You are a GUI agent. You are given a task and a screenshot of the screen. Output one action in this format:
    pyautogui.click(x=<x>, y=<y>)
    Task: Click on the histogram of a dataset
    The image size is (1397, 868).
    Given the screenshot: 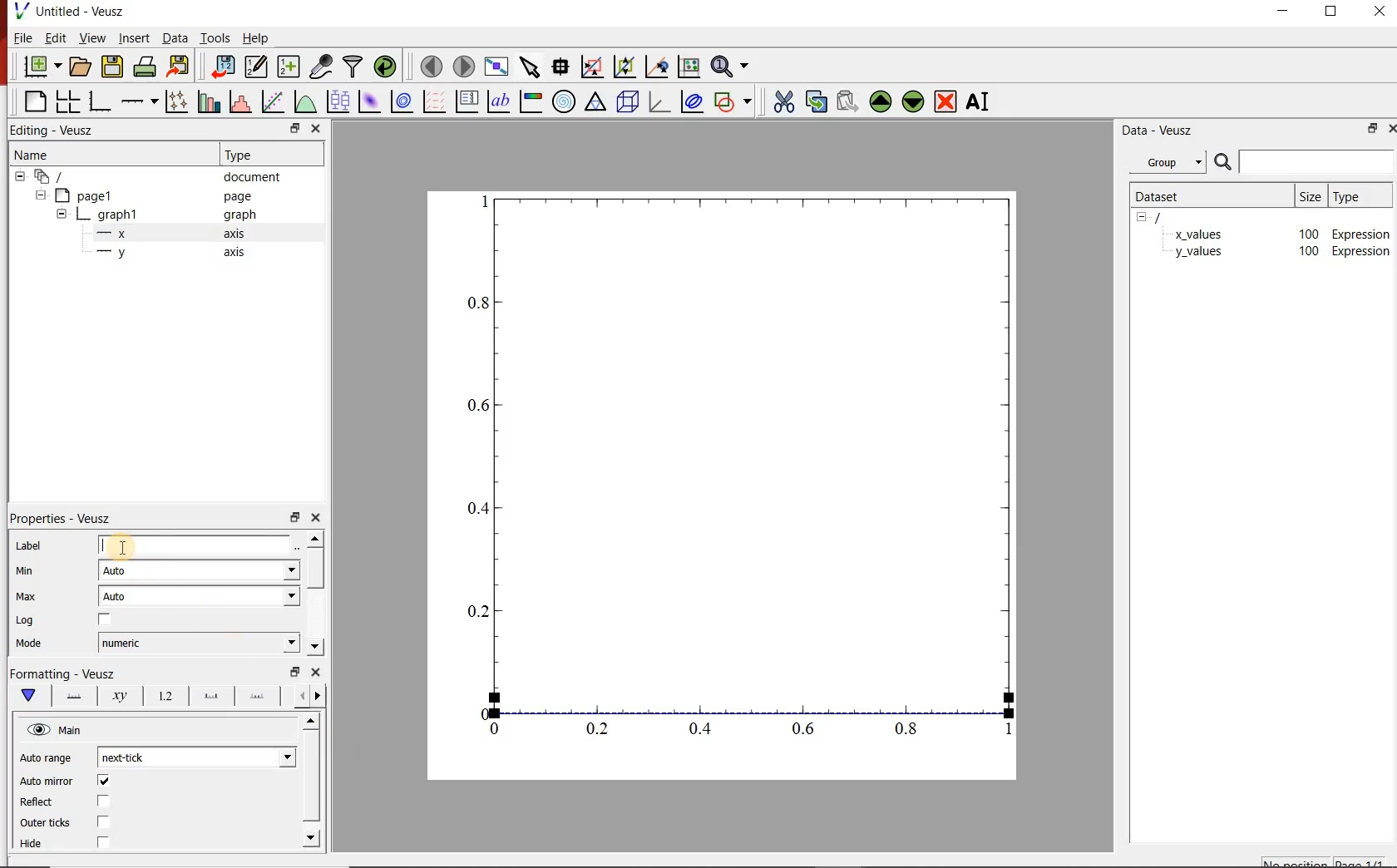 What is the action you would take?
    pyautogui.click(x=241, y=102)
    